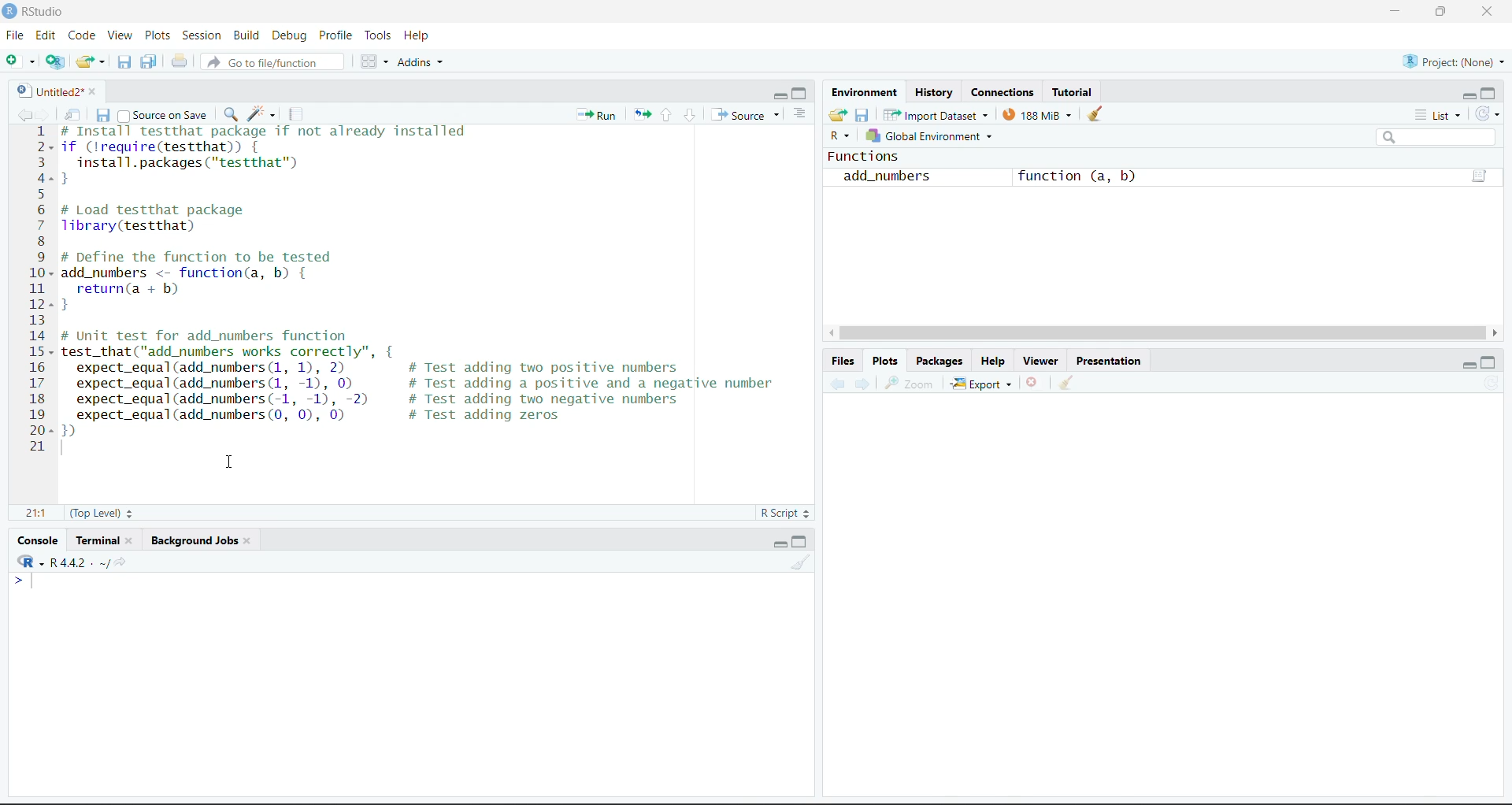  What do you see at coordinates (417, 35) in the screenshot?
I see `Help` at bounding box center [417, 35].